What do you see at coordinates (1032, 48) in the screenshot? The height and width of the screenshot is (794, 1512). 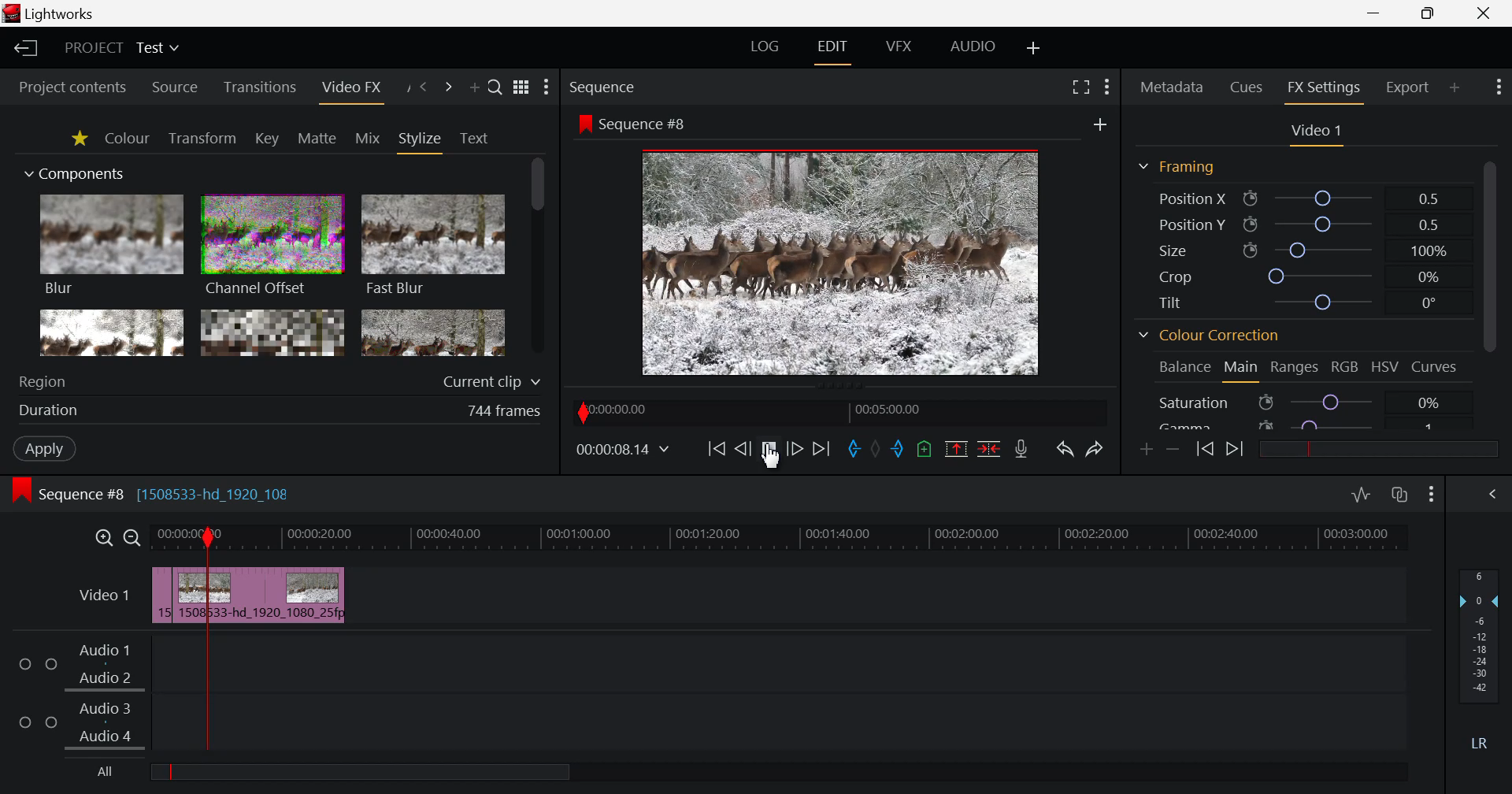 I see `Add Layout` at bounding box center [1032, 48].